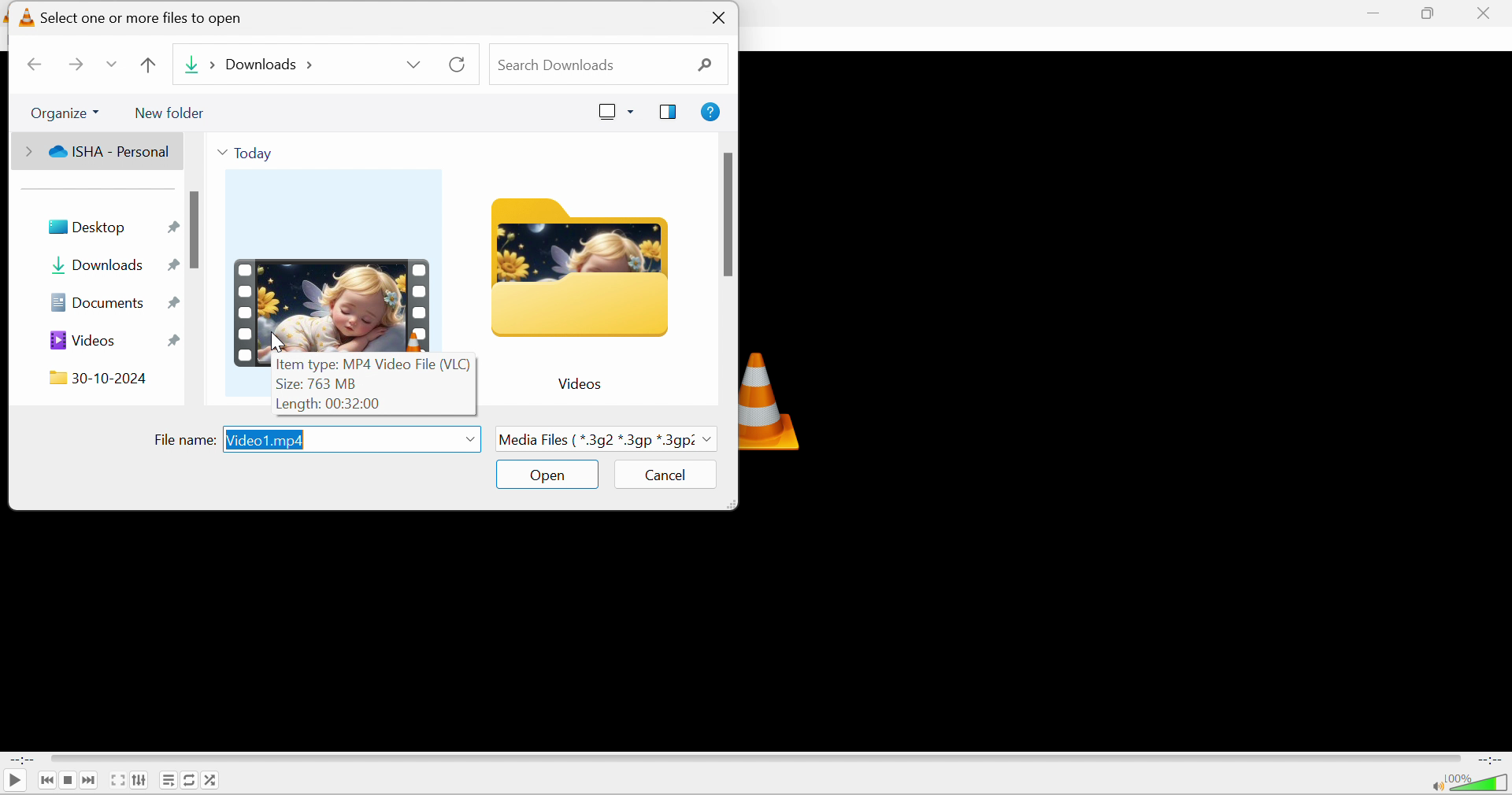 This screenshot has height=795, width=1512. I want to click on Videos, so click(578, 386).